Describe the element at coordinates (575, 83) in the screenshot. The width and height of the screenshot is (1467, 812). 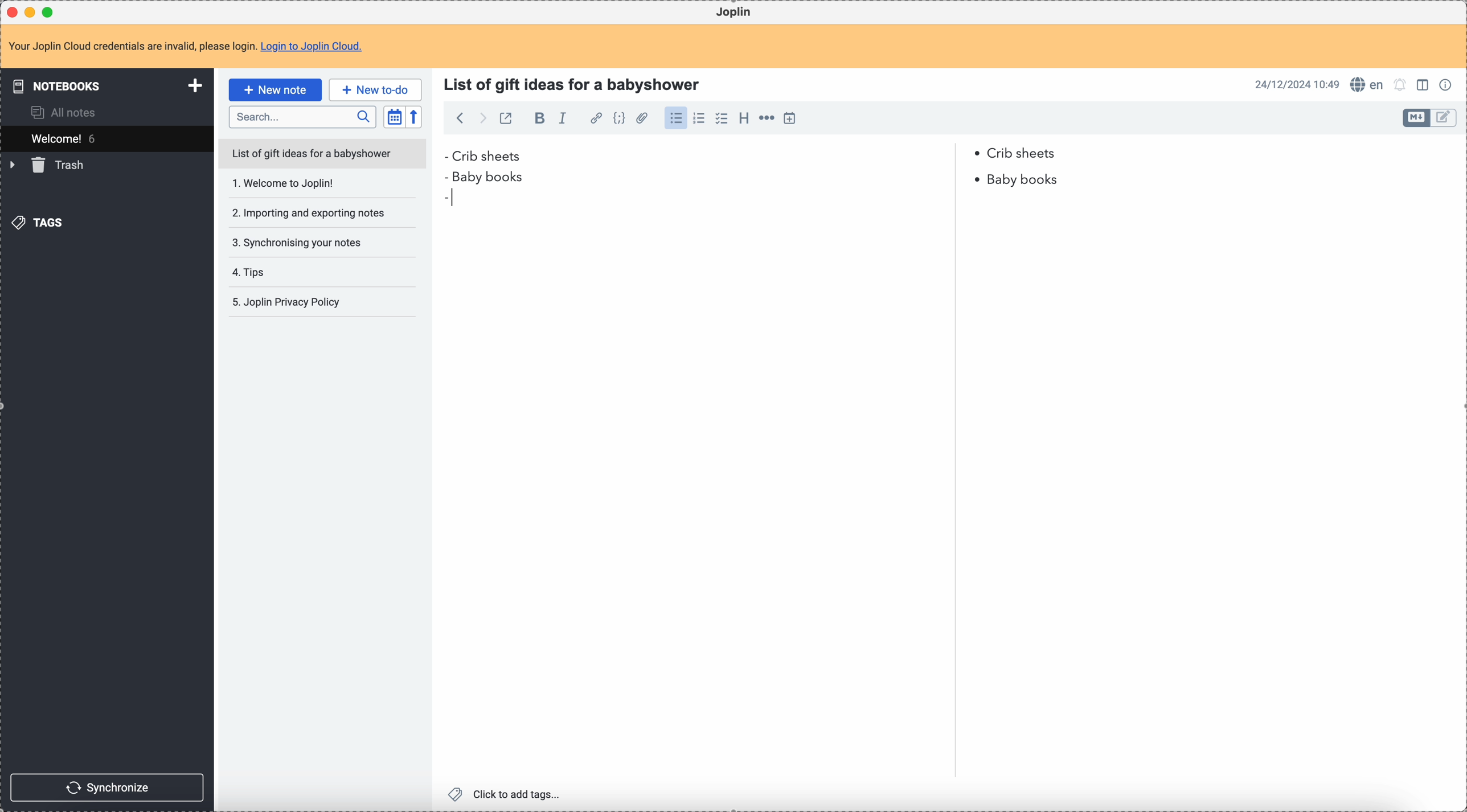
I see `title` at that location.